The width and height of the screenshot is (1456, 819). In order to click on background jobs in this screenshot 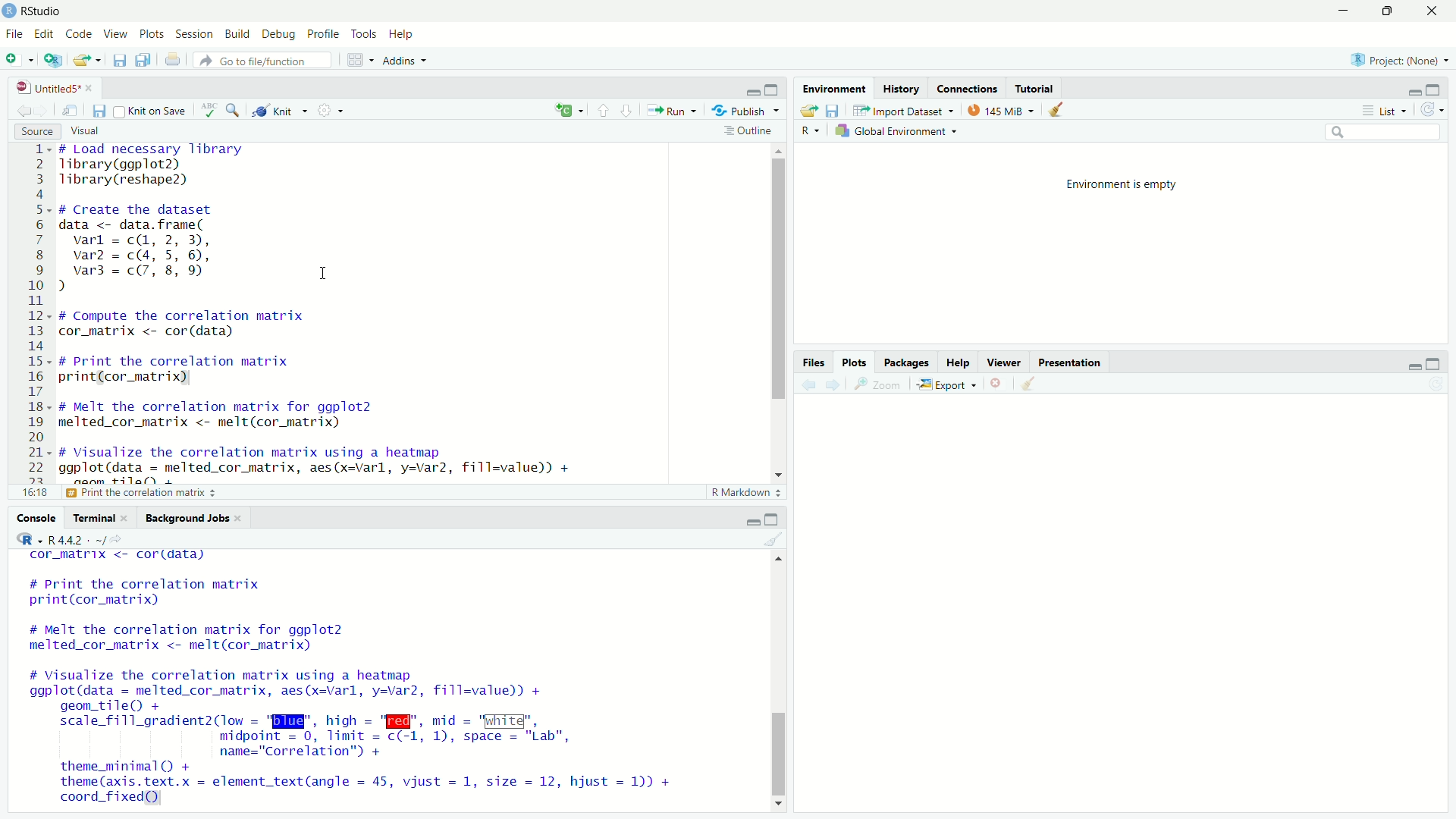, I will do `click(194, 518)`.